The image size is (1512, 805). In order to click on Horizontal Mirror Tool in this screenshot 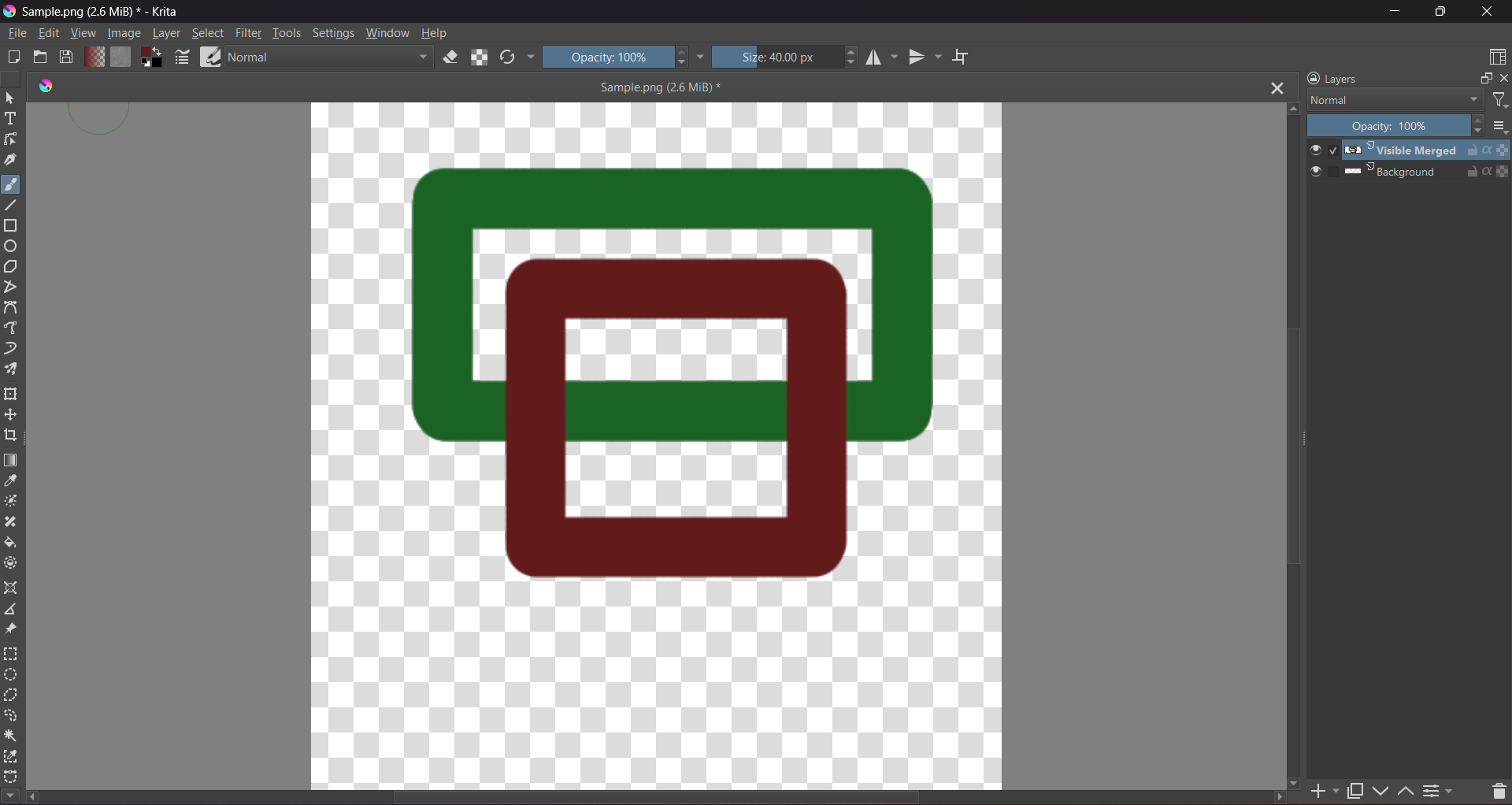, I will do `click(881, 57)`.